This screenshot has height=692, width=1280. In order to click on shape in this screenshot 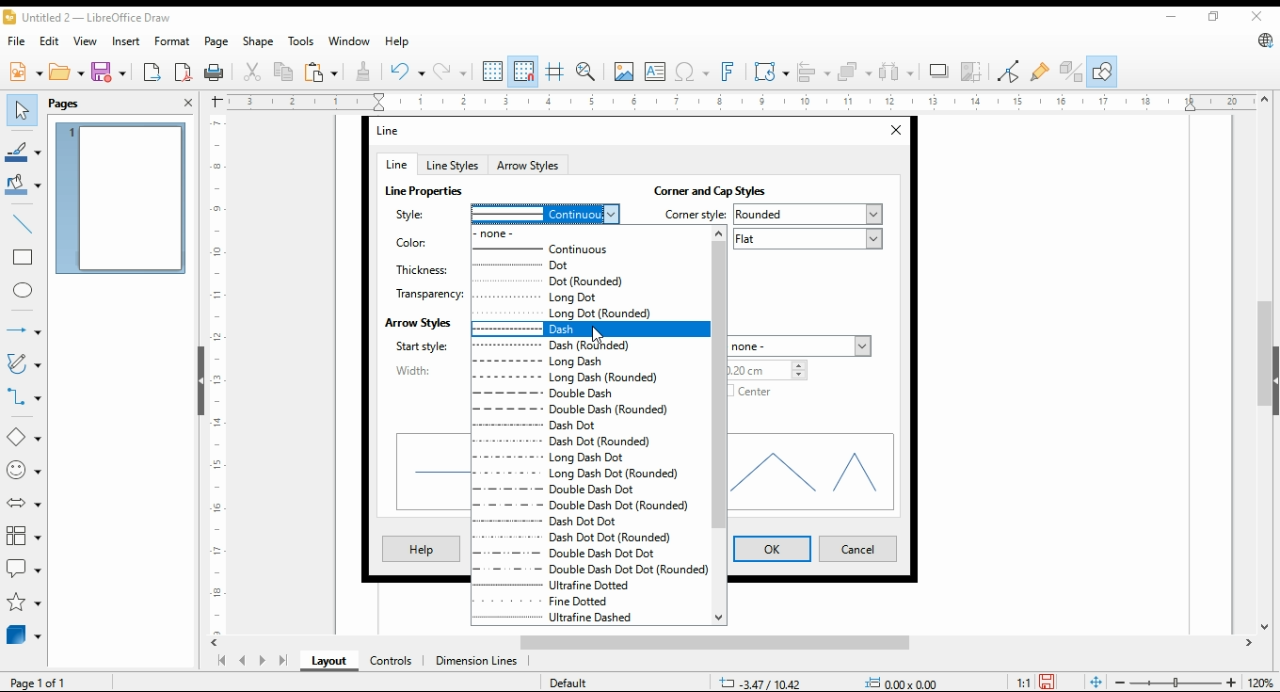, I will do `click(259, 41)`.